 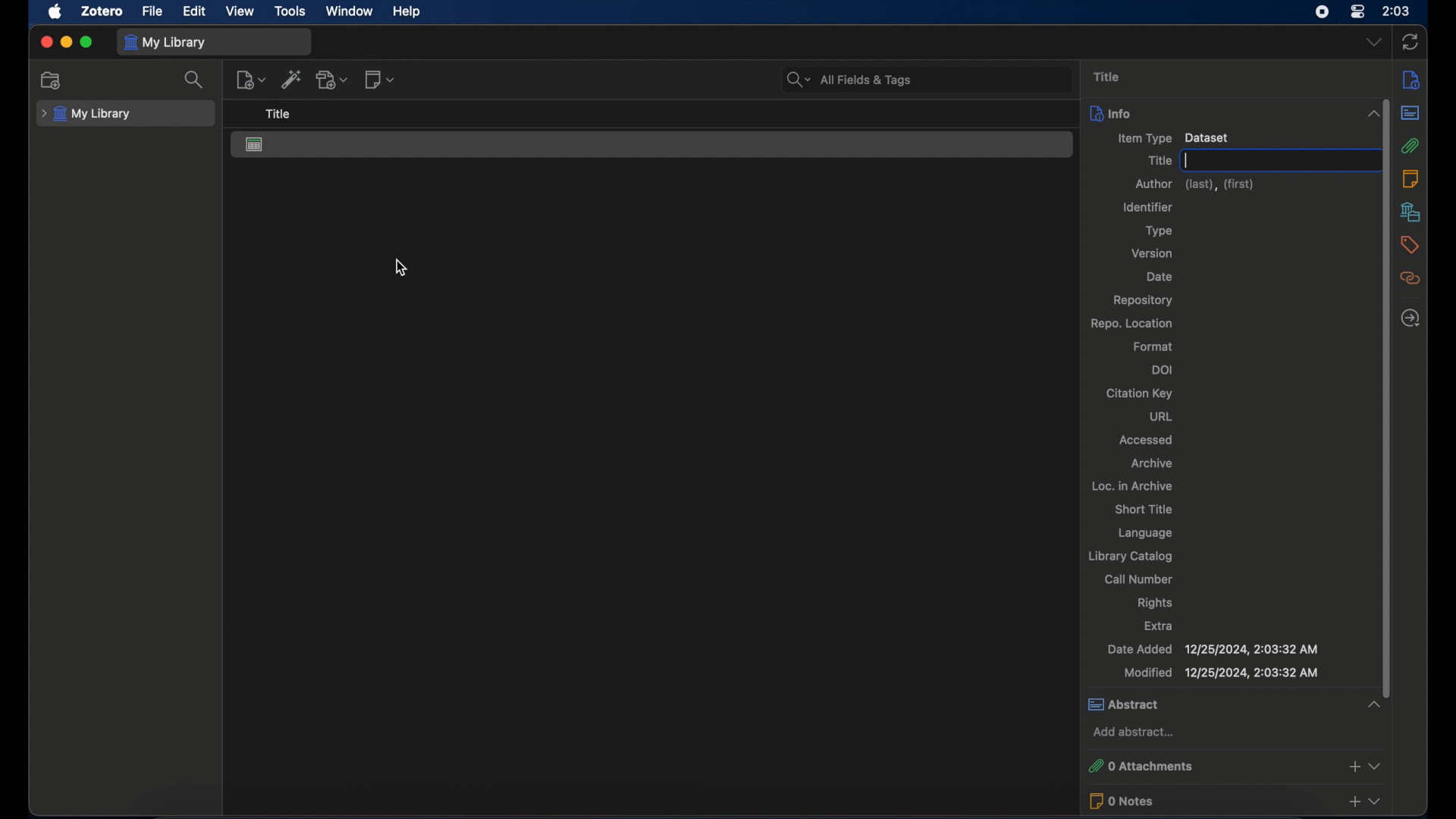 What do you see at coordinates (168, 43) in the screenshot?
I see `my library` at bounding box center [168, 43].